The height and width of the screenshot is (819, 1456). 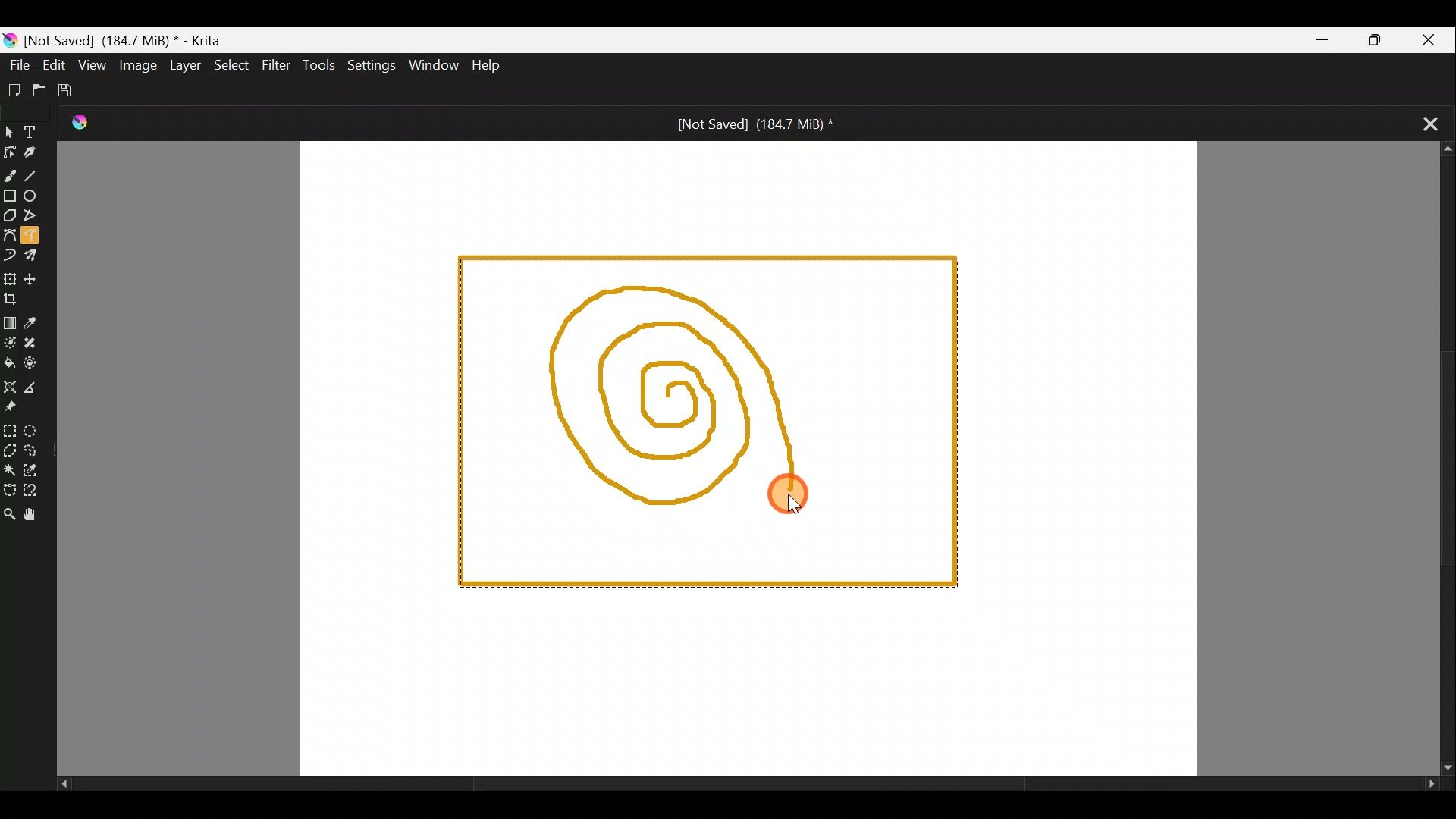 I want to click on Edit, so click(x=47, y=64).